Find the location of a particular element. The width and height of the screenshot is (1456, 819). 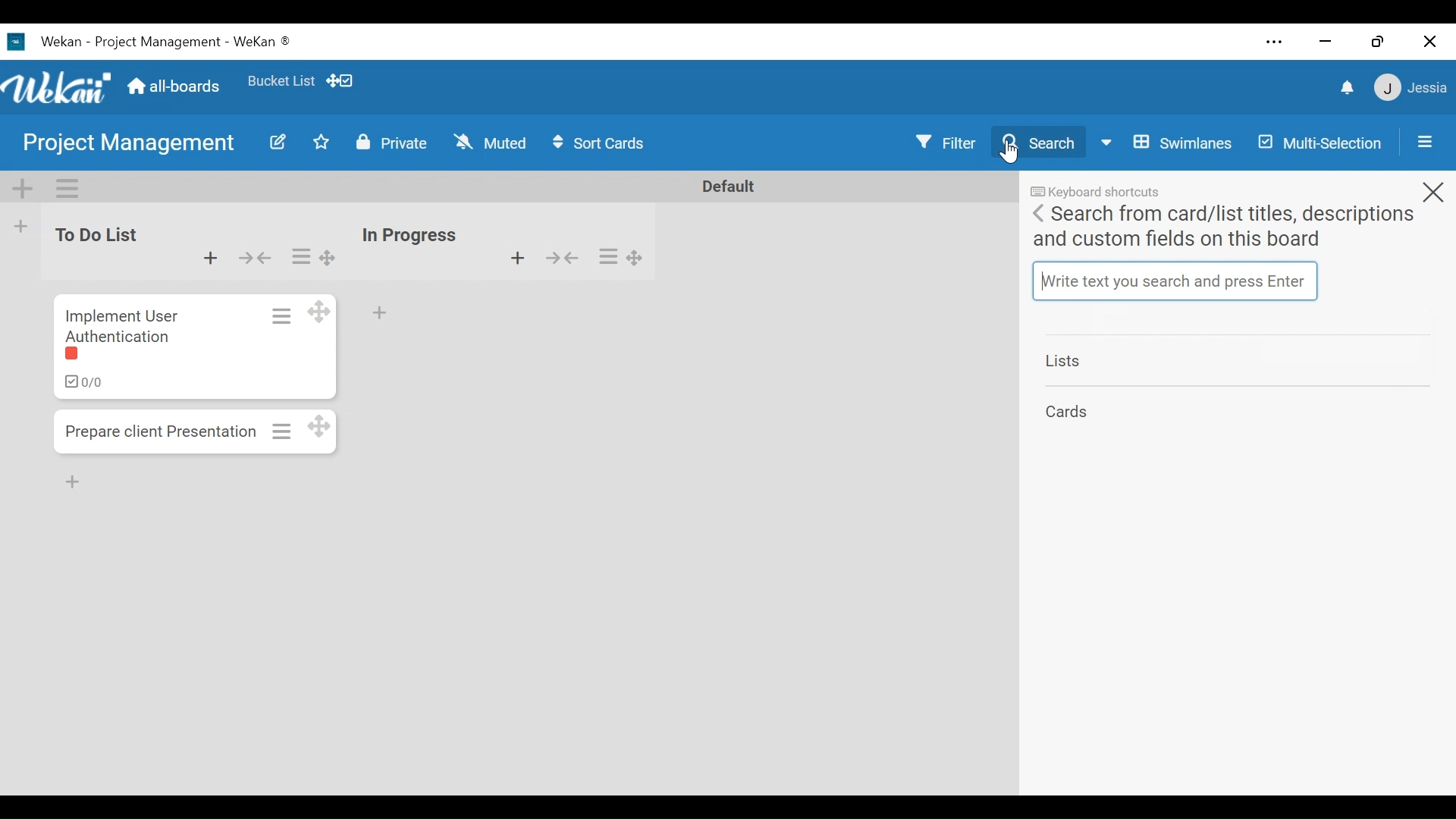

notification is located at coordinates (1345, 89).